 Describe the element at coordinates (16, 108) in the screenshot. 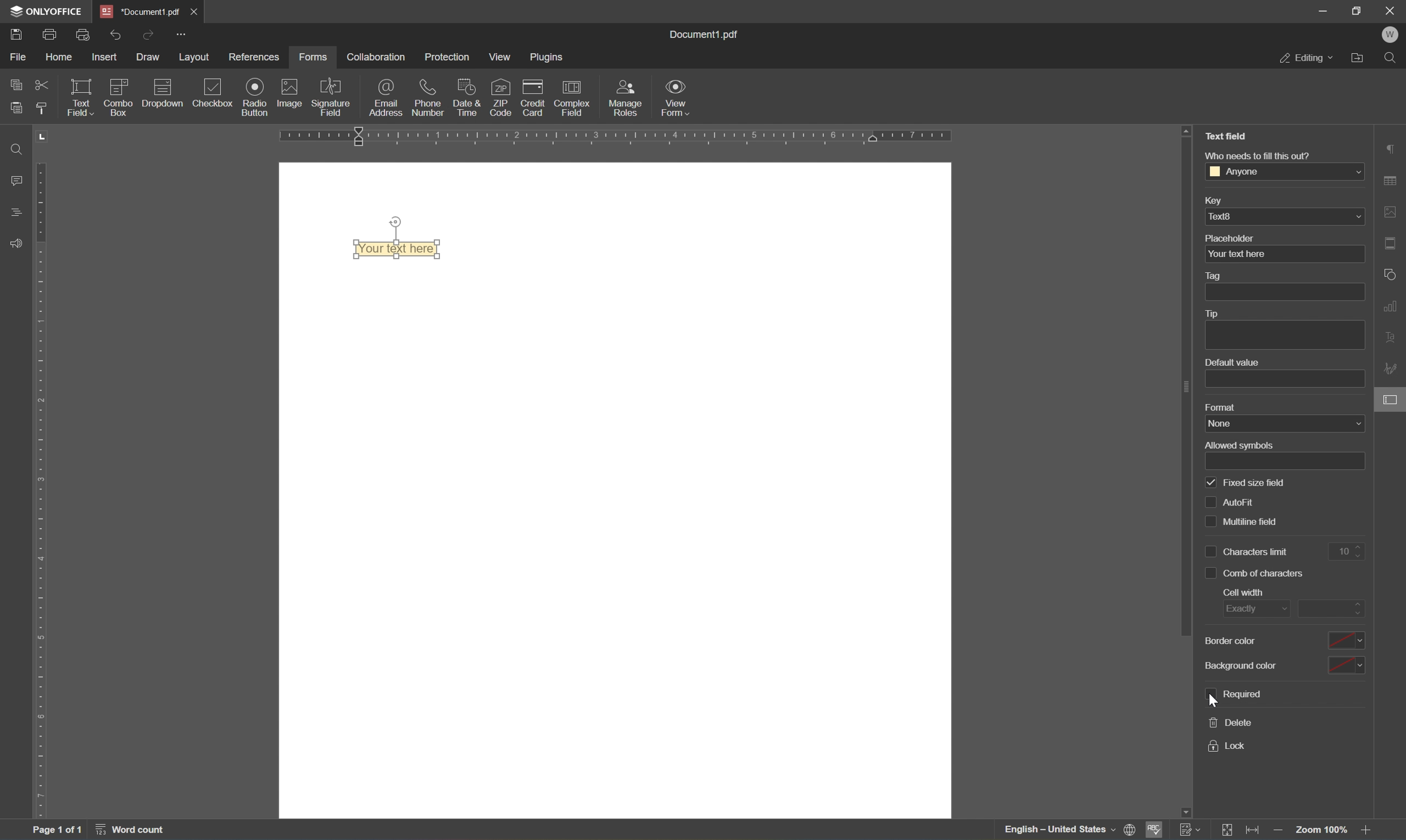

I see `paste` at that location.